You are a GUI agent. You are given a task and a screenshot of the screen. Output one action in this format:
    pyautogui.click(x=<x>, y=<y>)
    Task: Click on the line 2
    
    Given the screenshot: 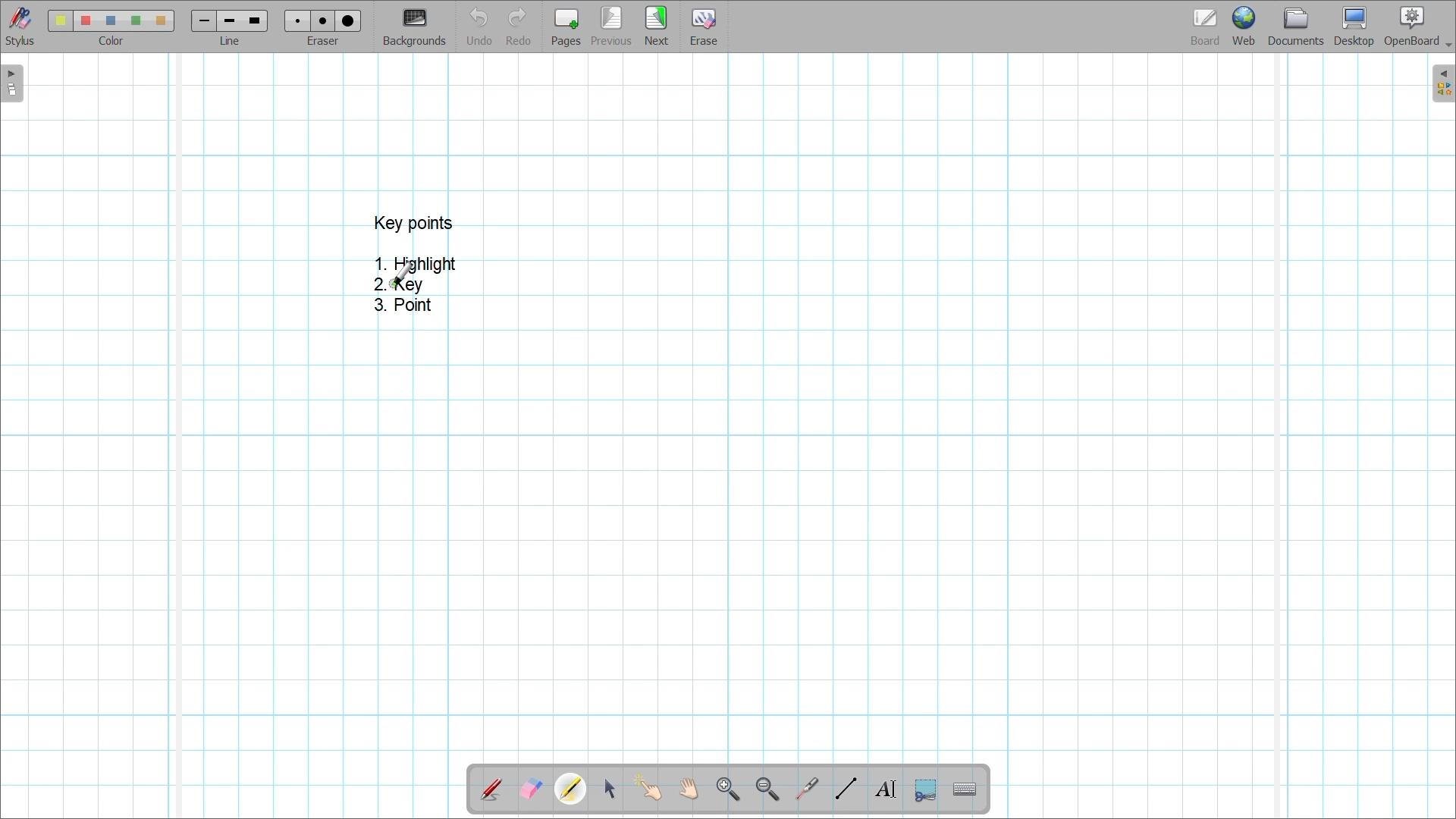 What is the action you would take?
    pyautogui.click(x=227, y=21)
    